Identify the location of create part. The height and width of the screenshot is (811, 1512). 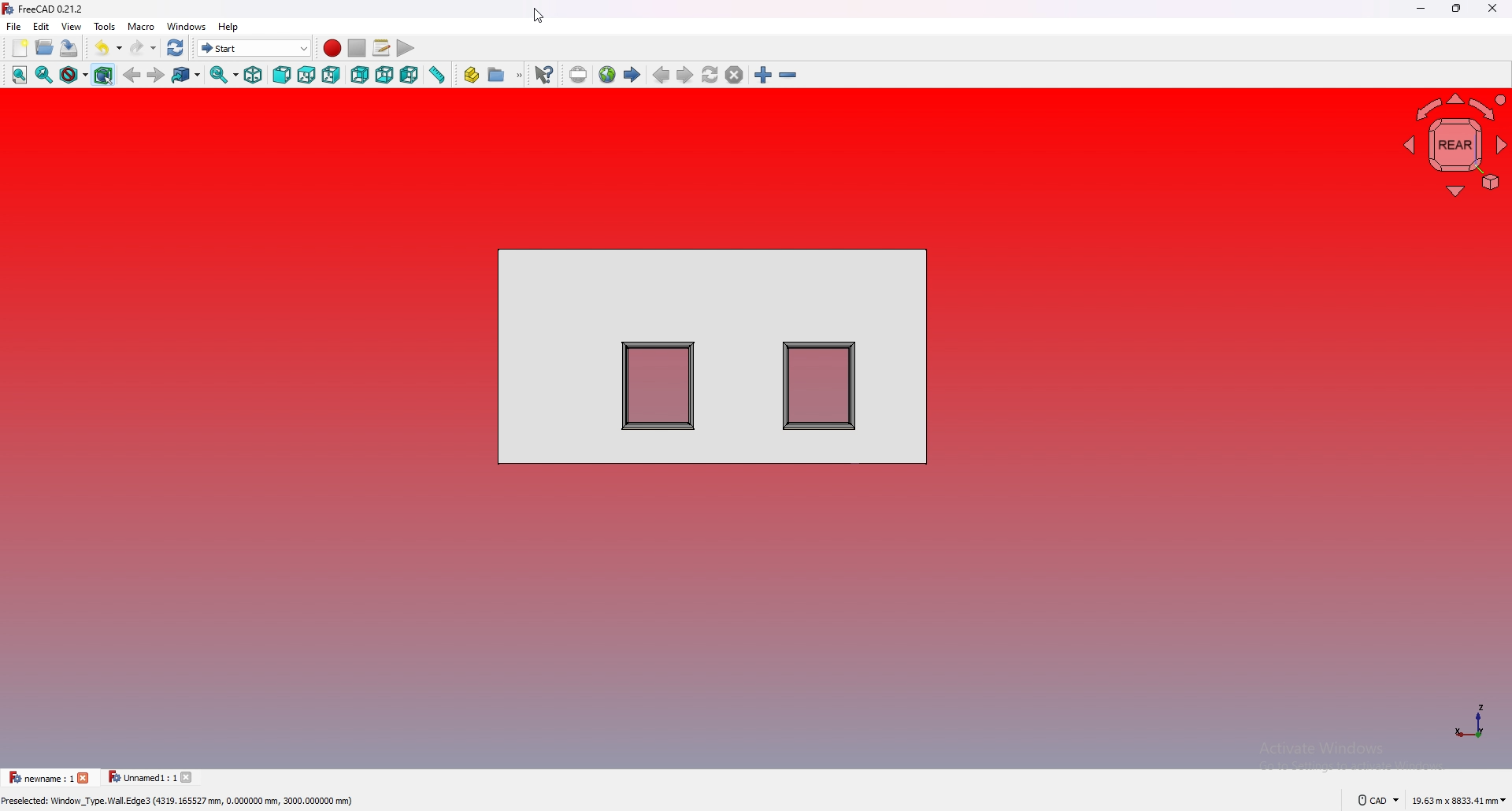
(471, 74).